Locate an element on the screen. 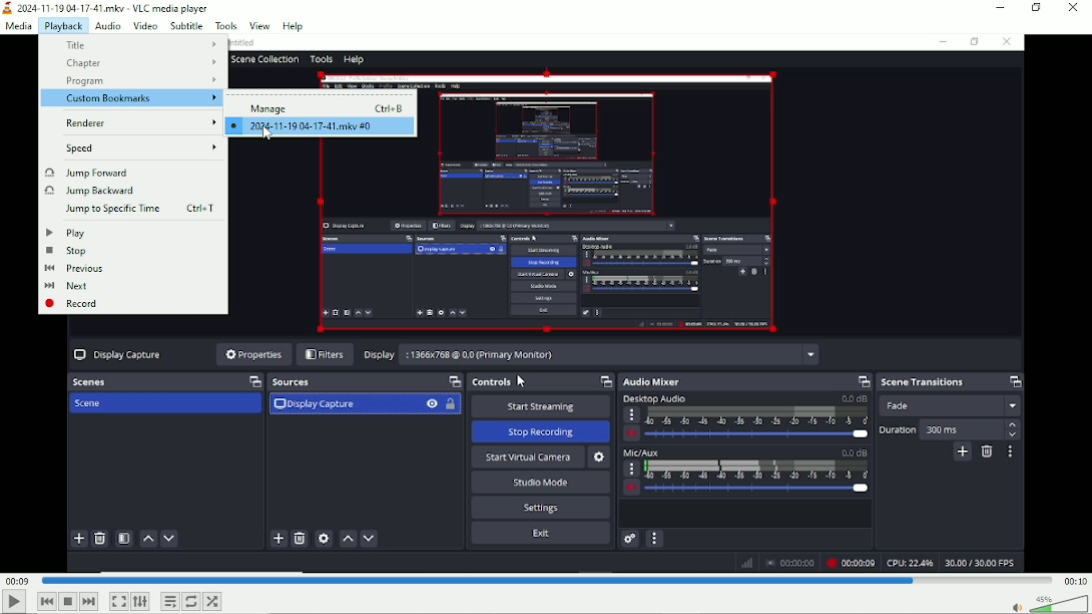  Toggle between loop all, loop one and no loop is located at coordinates (191, 601).